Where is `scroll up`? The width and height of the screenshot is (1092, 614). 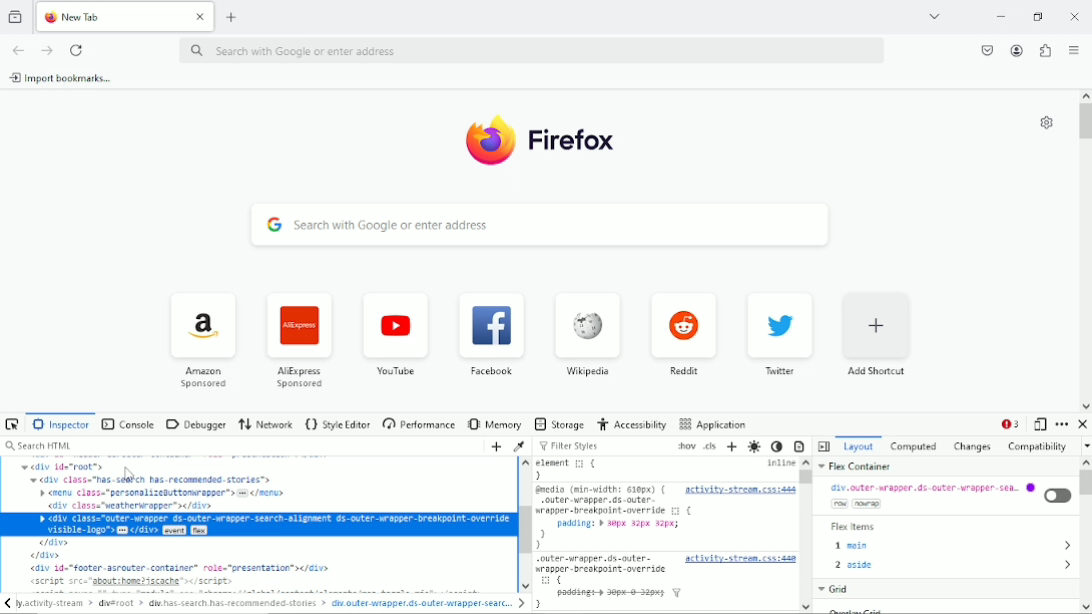 scroll up is located at coordinates (1084, 95).